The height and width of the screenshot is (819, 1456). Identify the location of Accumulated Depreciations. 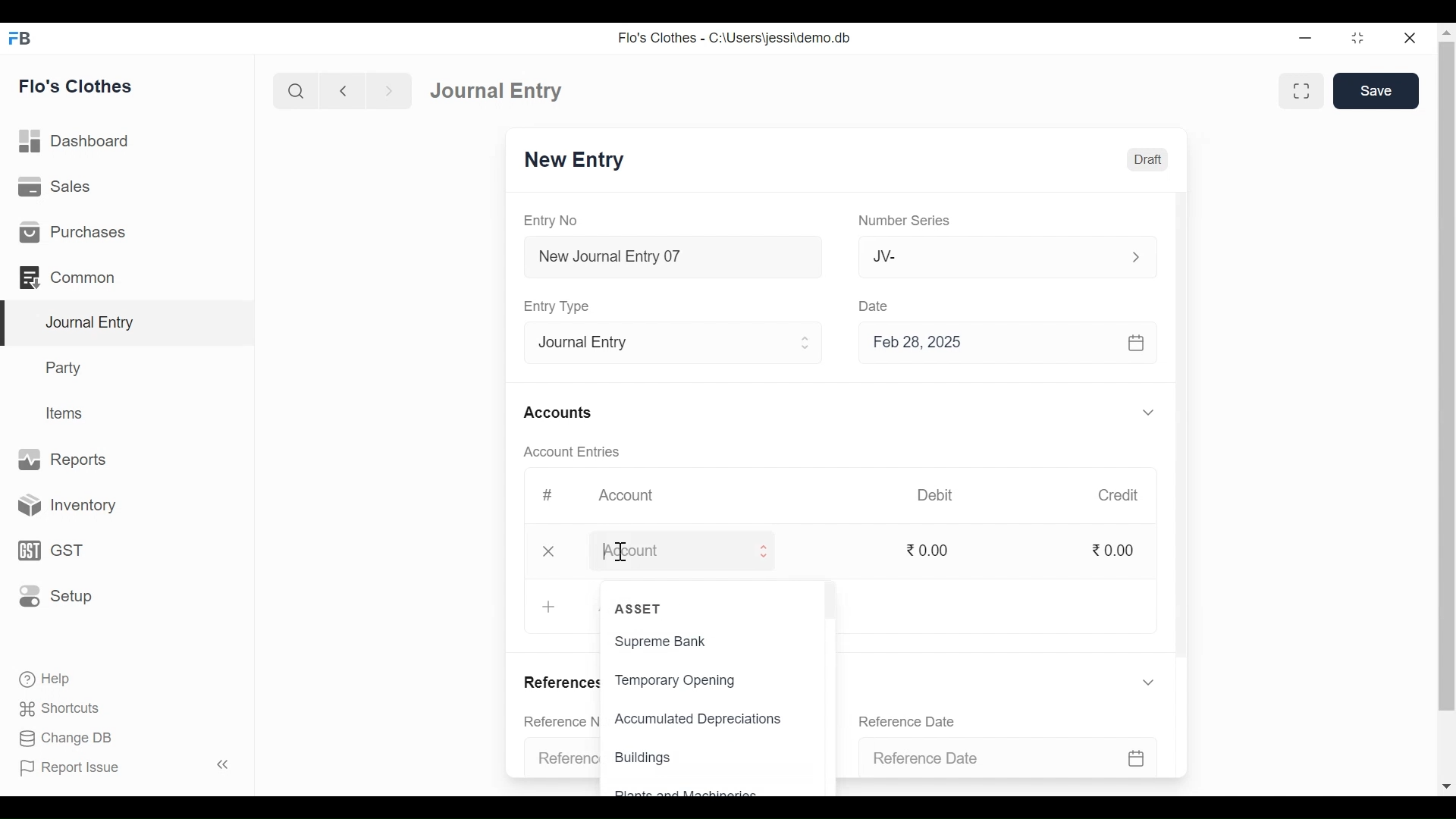
(702, 720).